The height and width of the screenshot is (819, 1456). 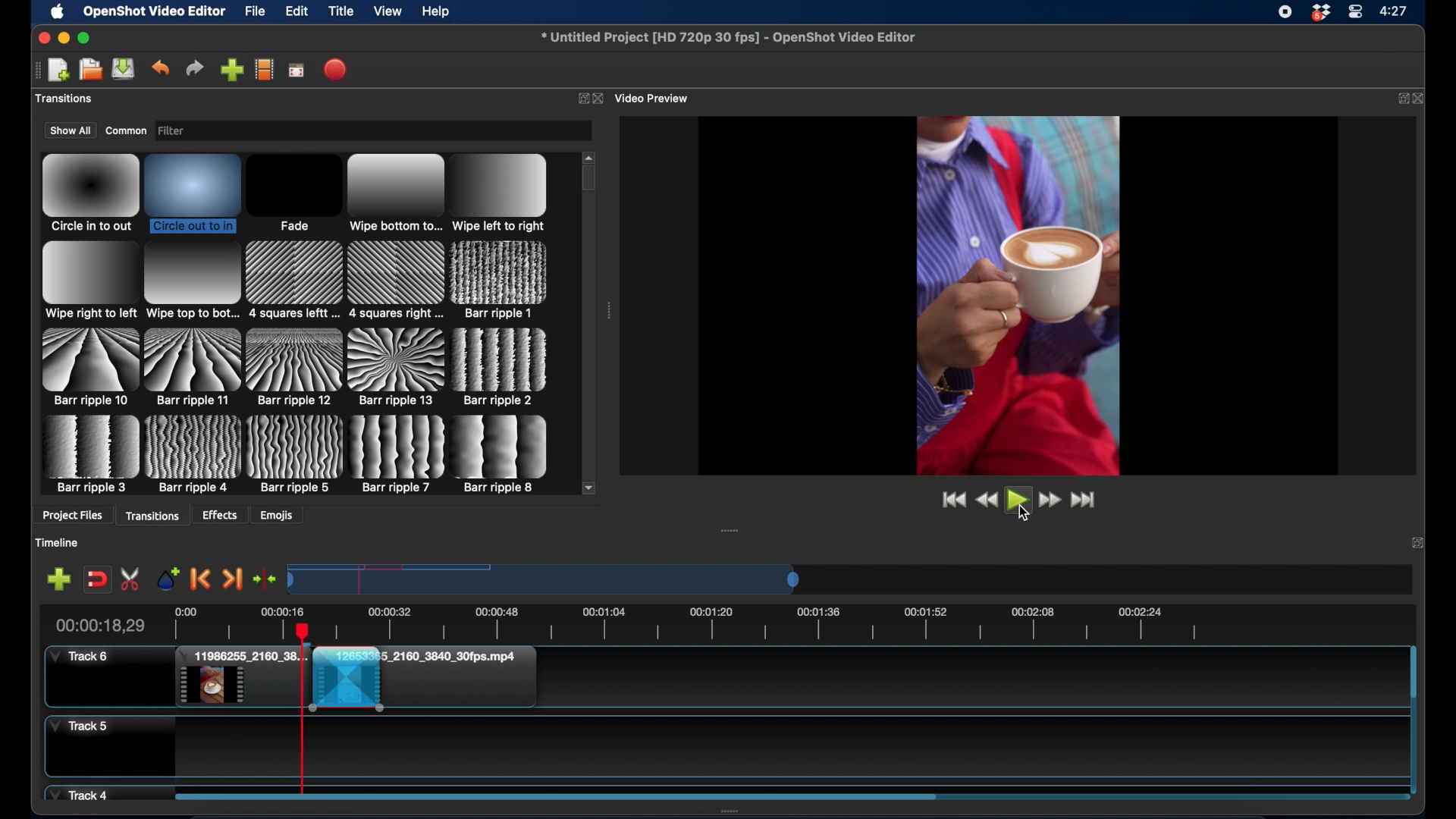 What do you see at coordinates (202, 580) in the screenshot?
I see `previous marker` at bounding box center [202, 580].